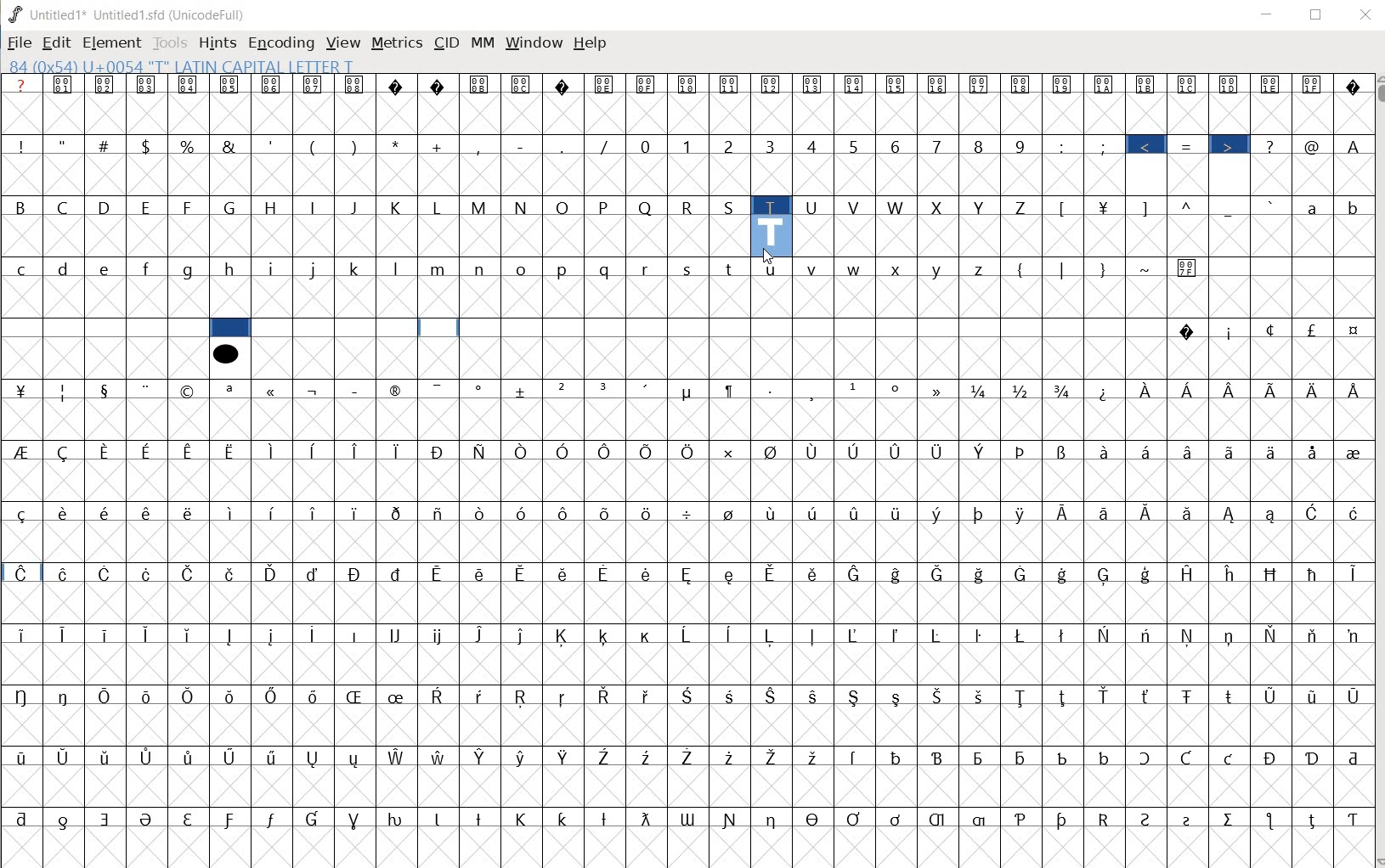 Image resolution: width=1385 pixels, height=868 pixels. I want to click on Symbol, so click(731, 513).